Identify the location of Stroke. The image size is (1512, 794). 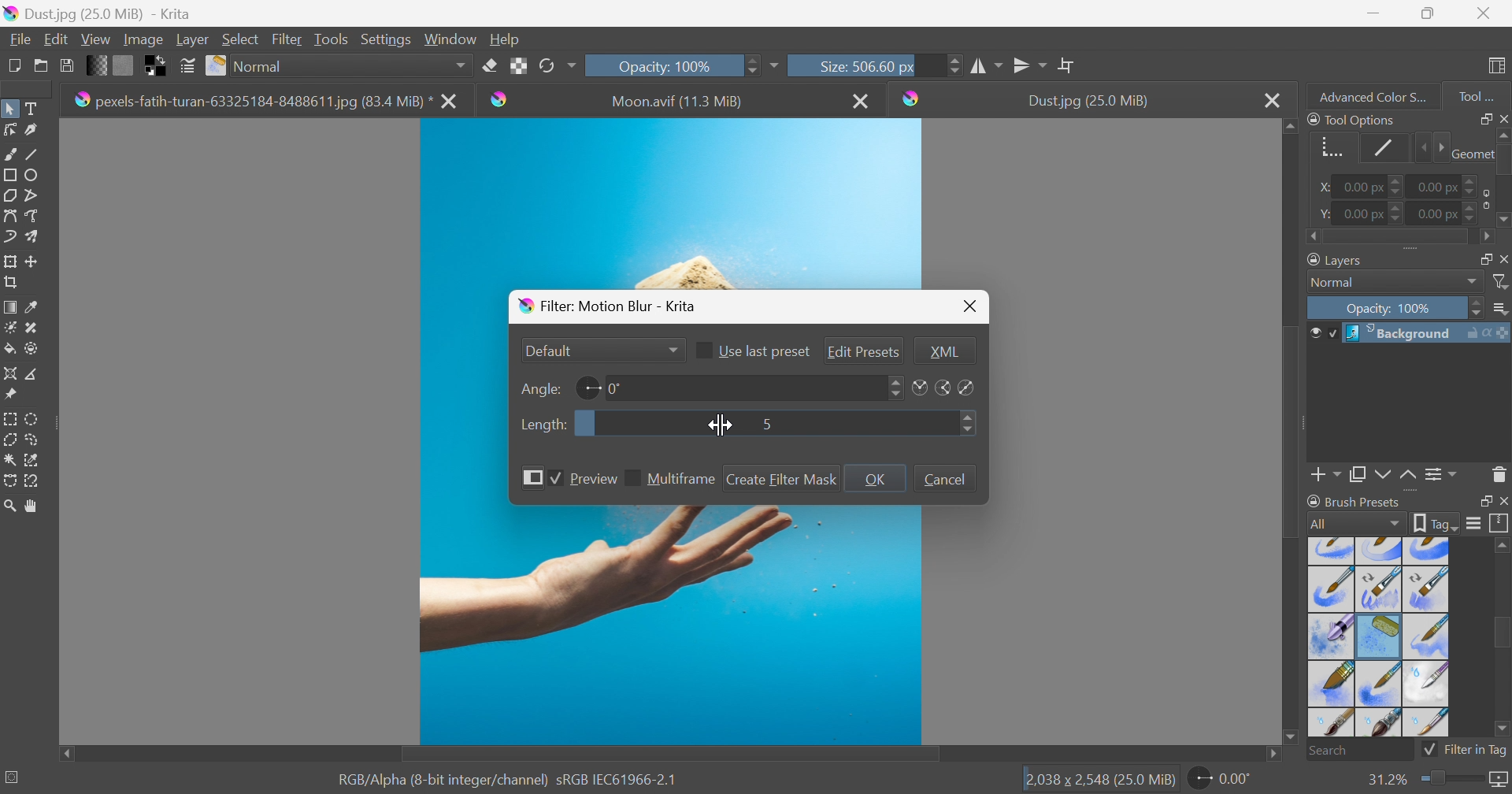
(1384, 147).